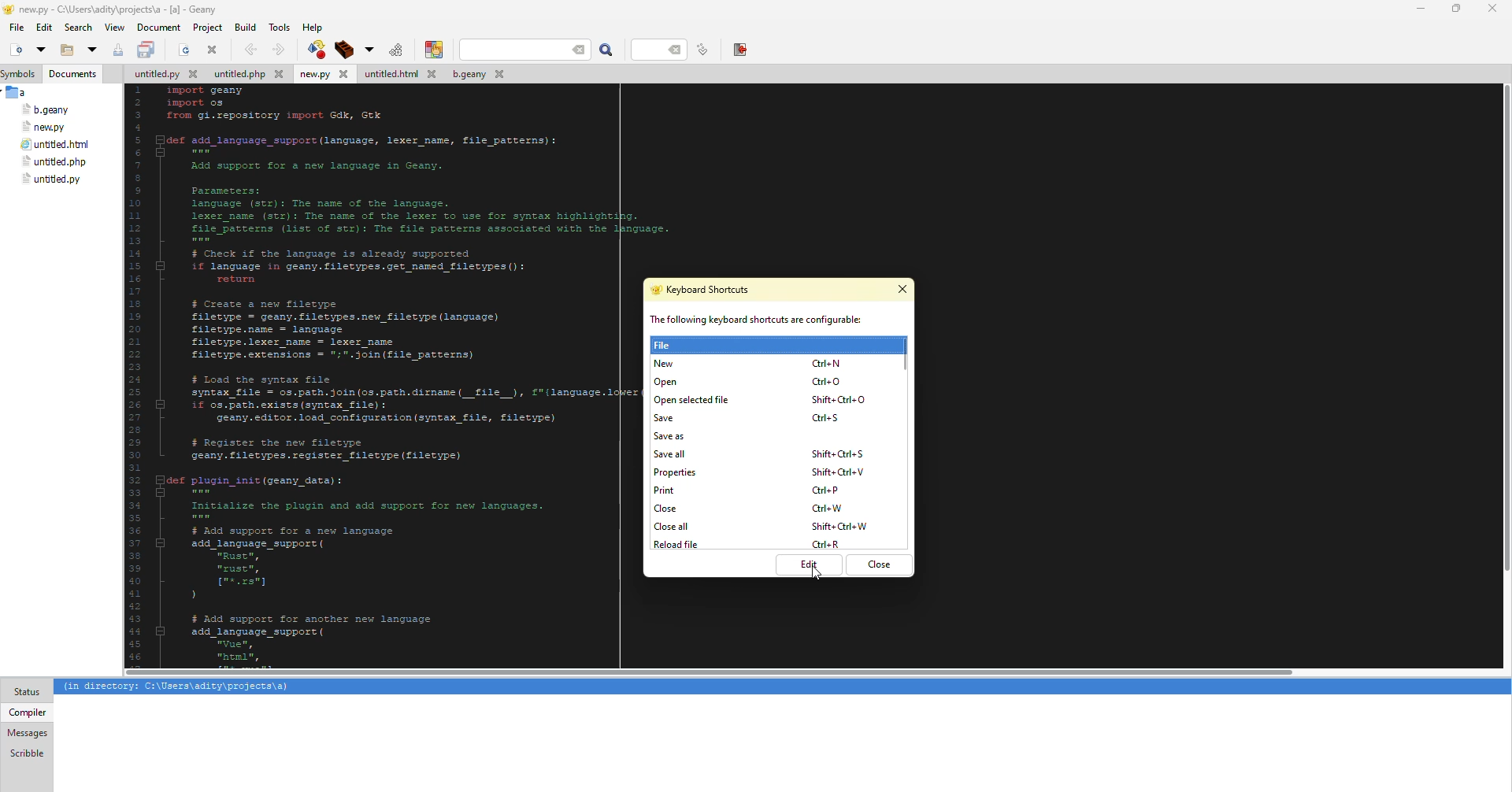 Image resolution: width=1512 pixels, height=792 pixels. What do you see at coordinates (45, 127) in the screenshot?
I see `file` at bounding box center [45, 127].